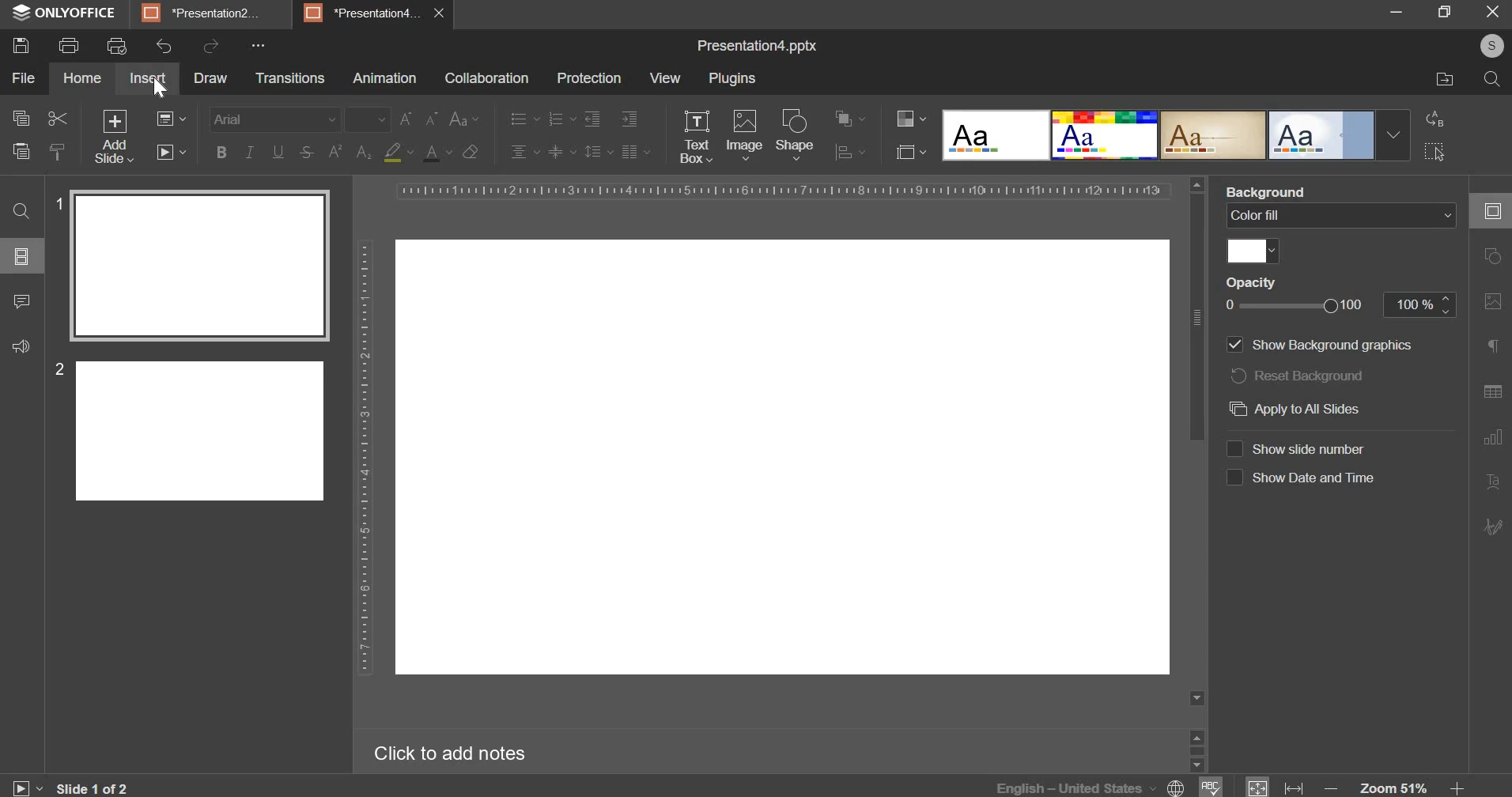 This screenshot has height=797, width=1512. What do you see at coordinates (440, 154) in the screenshot?
I see `text color` at bounding box center [440, 154].